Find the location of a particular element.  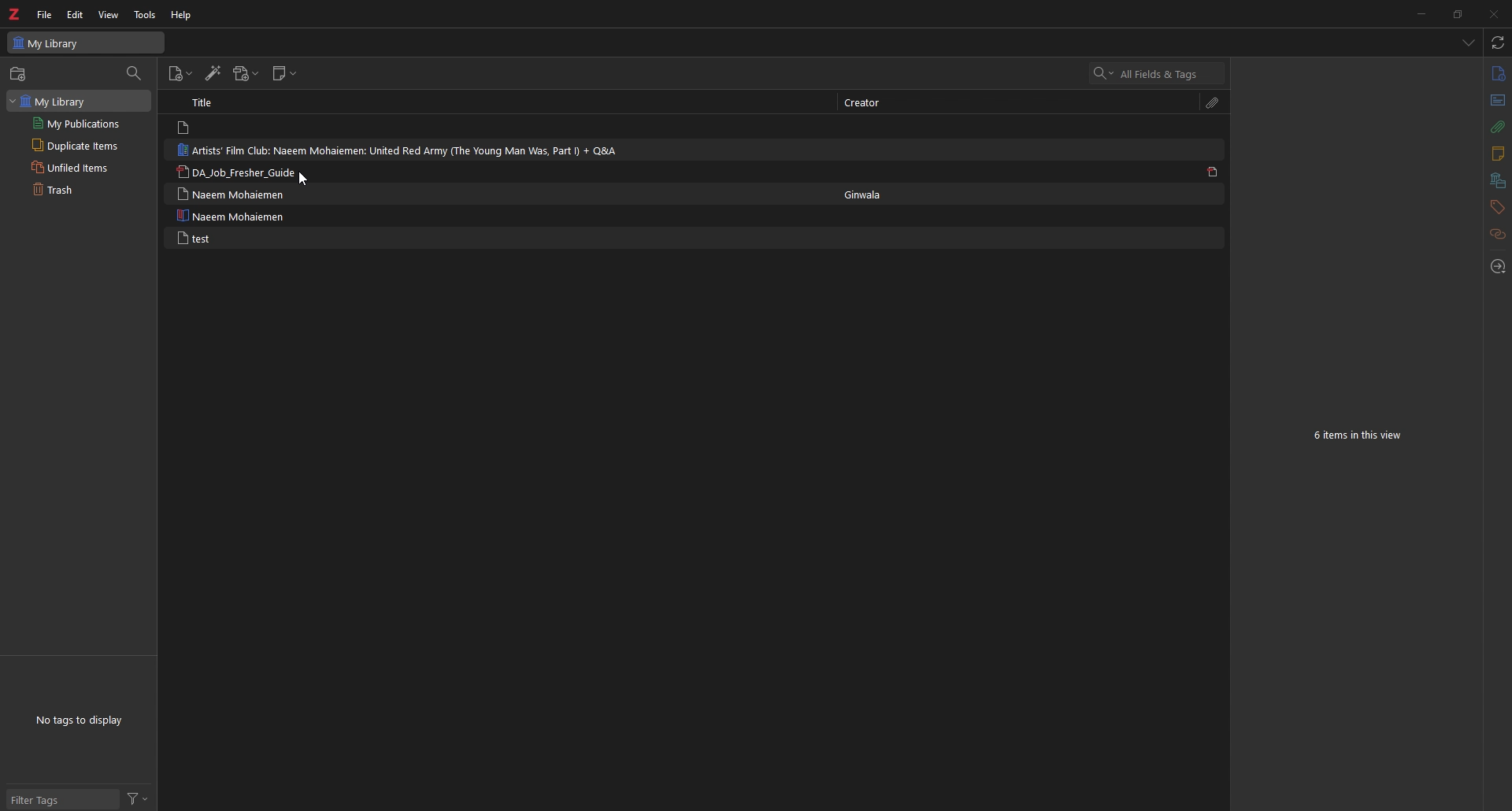

info is located at coordinates (1498, 72).